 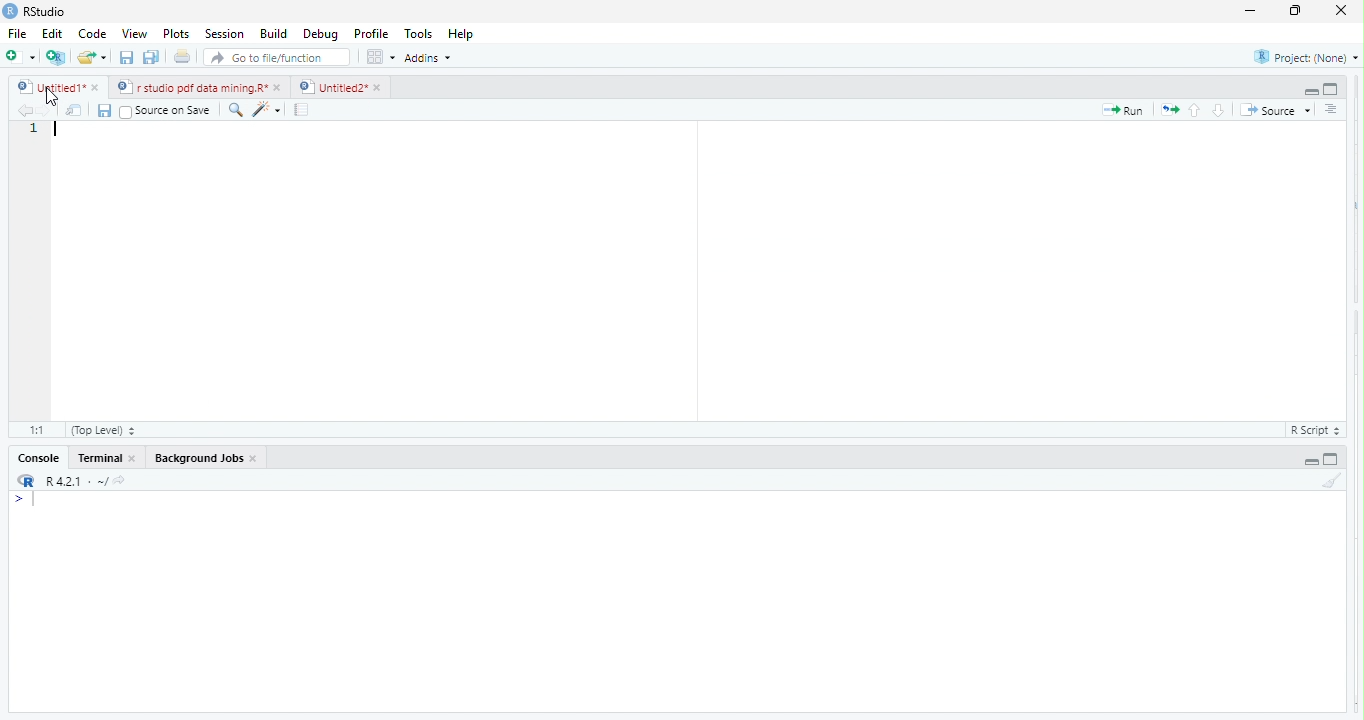 I want to click on View, so click(x=133, y=35).